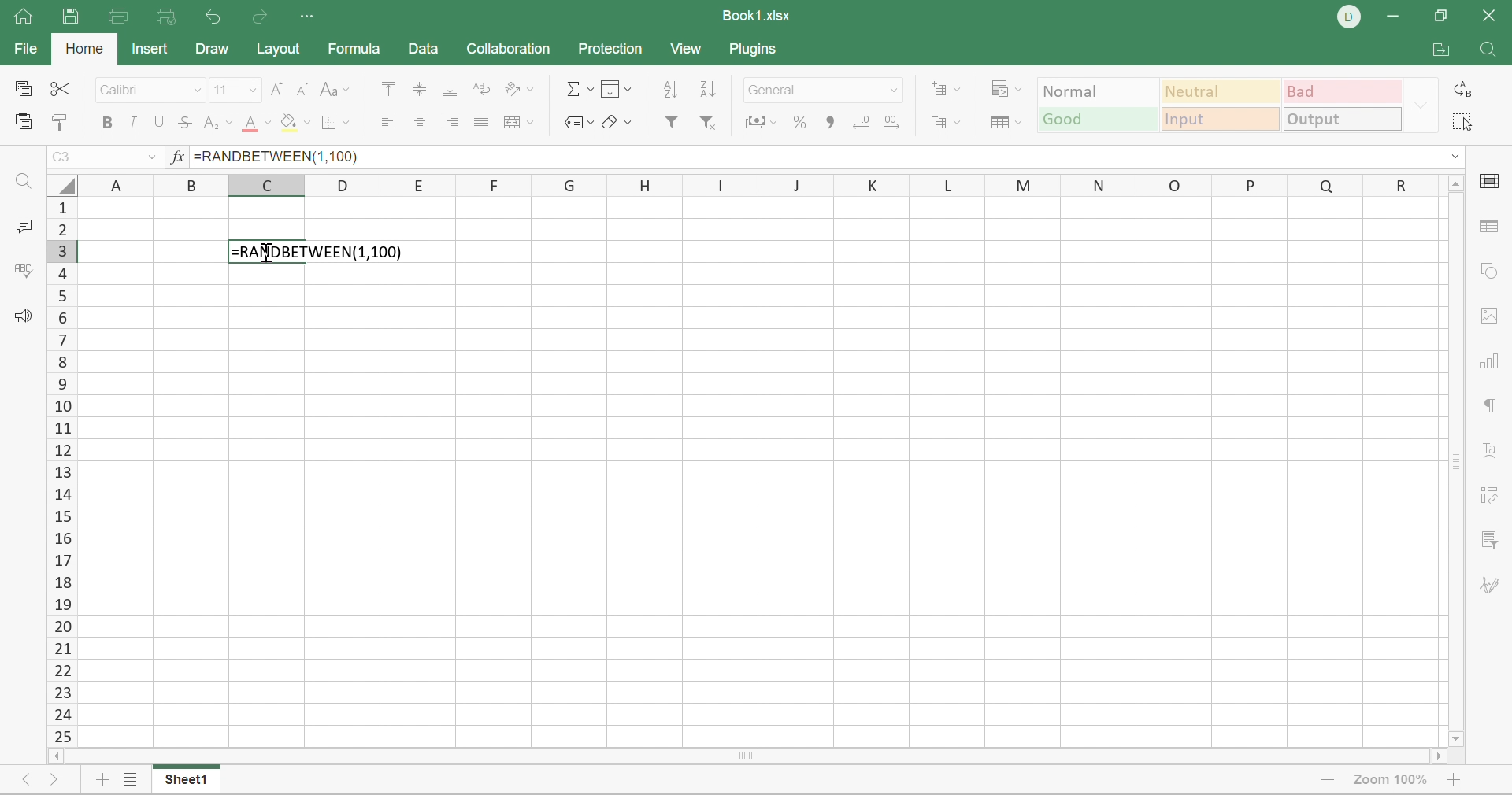 The width and height of the screenshot is (1512, 795). Describe the element at coordinates (421, 91) in the screenshot. I see `Align Middle` at that location.